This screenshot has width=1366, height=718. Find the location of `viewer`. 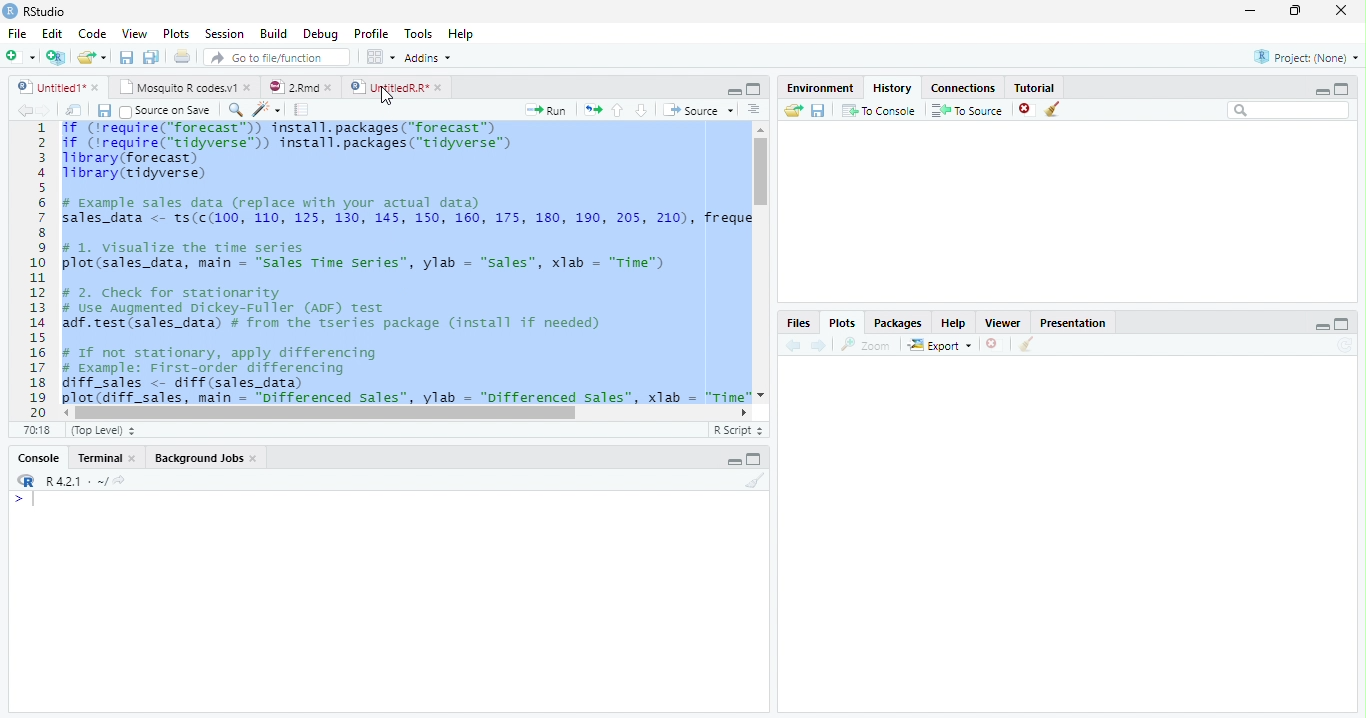

viewer is located at coordinates (1003, 324).